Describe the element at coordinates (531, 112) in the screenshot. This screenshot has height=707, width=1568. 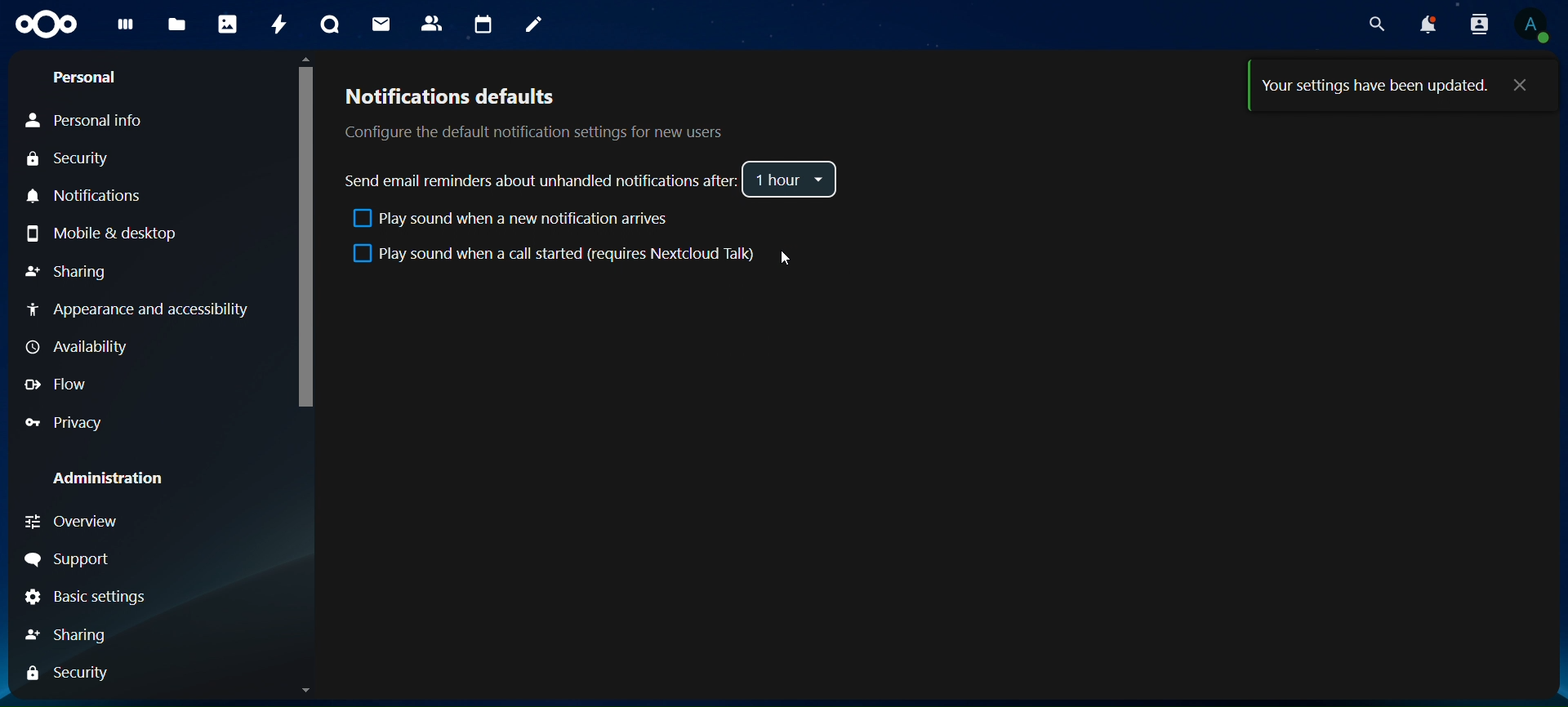
I see `notification defaults` at that location.